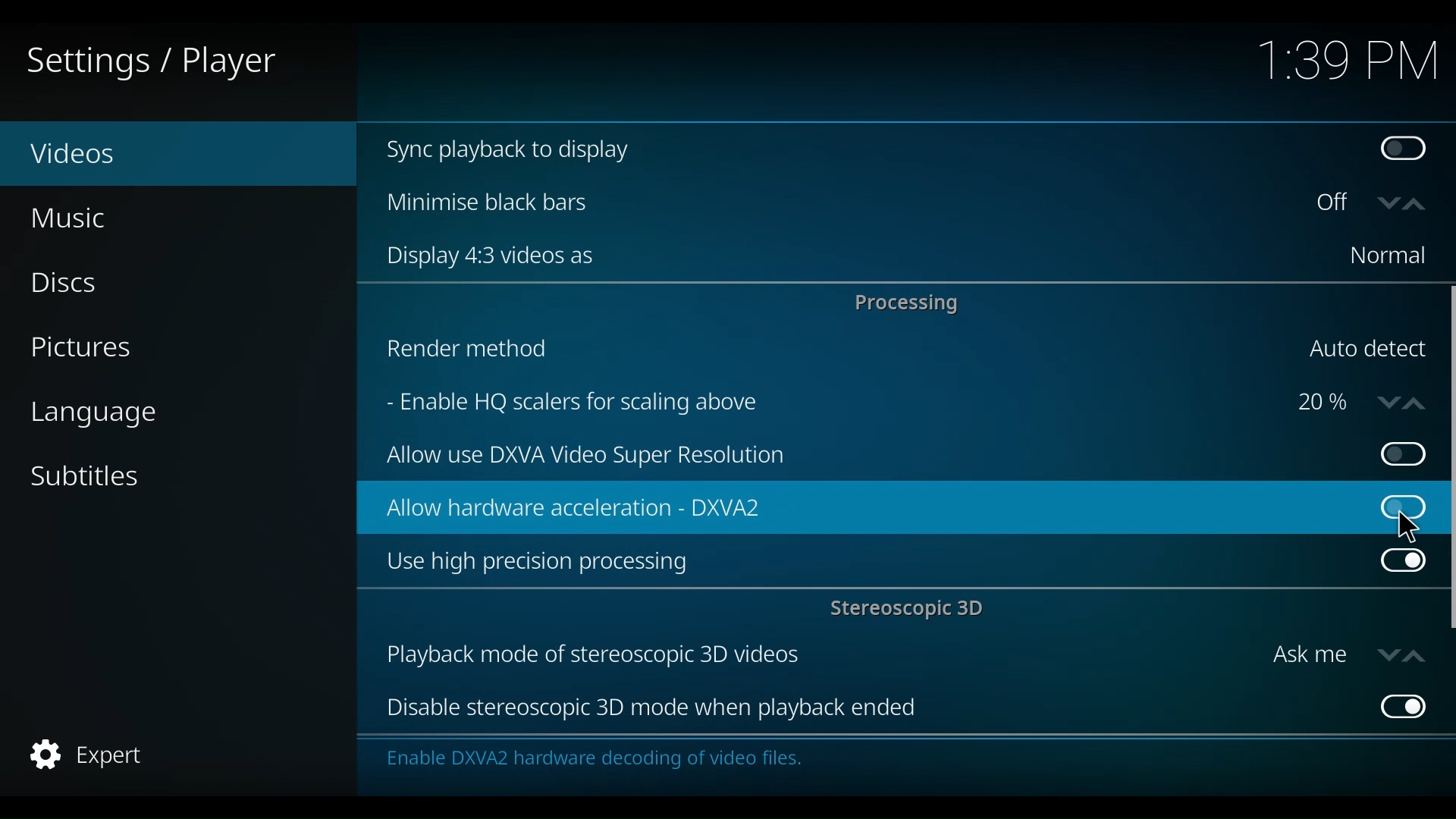 Image resolution: width=1456 pixels, height=819 pixels. What do you see at coordinates (162, 61) in the screenshot?
I see `Settings / Player` at bounding box center [162, 61].